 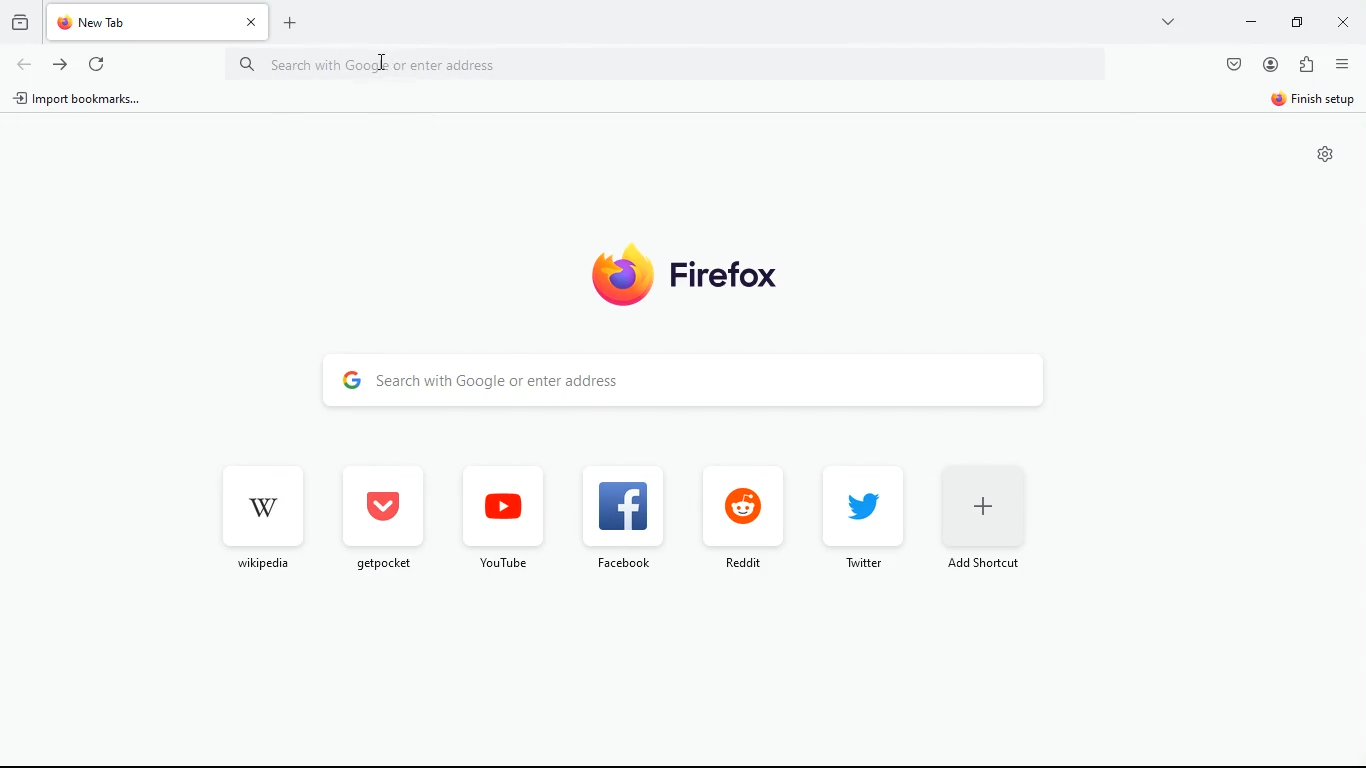 I want to click on profile, so click(x=1272, y=65).